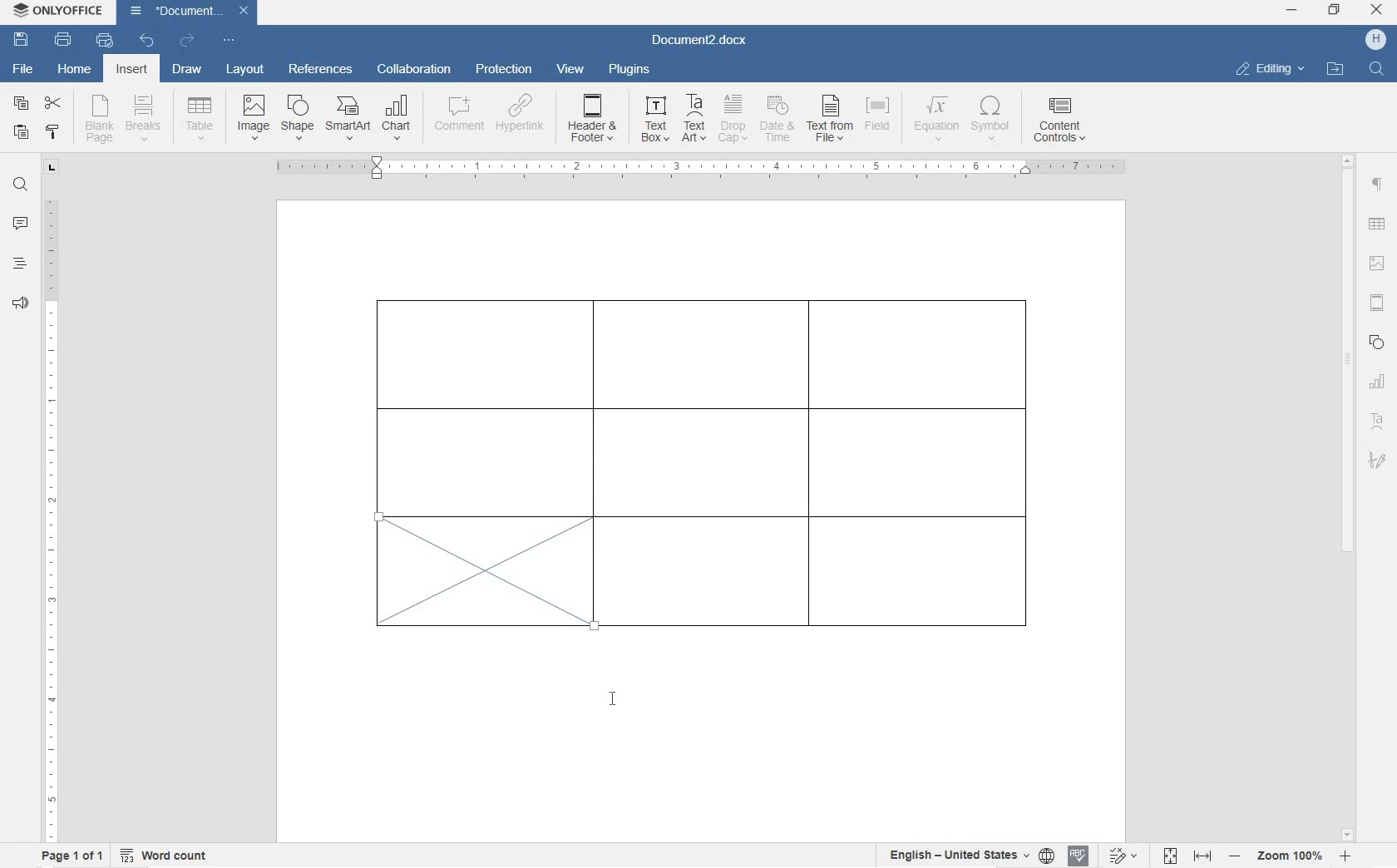  What do you see at coordinates (76, 70) in the screenshot?
I see `home` at bounding box center [76, 70].